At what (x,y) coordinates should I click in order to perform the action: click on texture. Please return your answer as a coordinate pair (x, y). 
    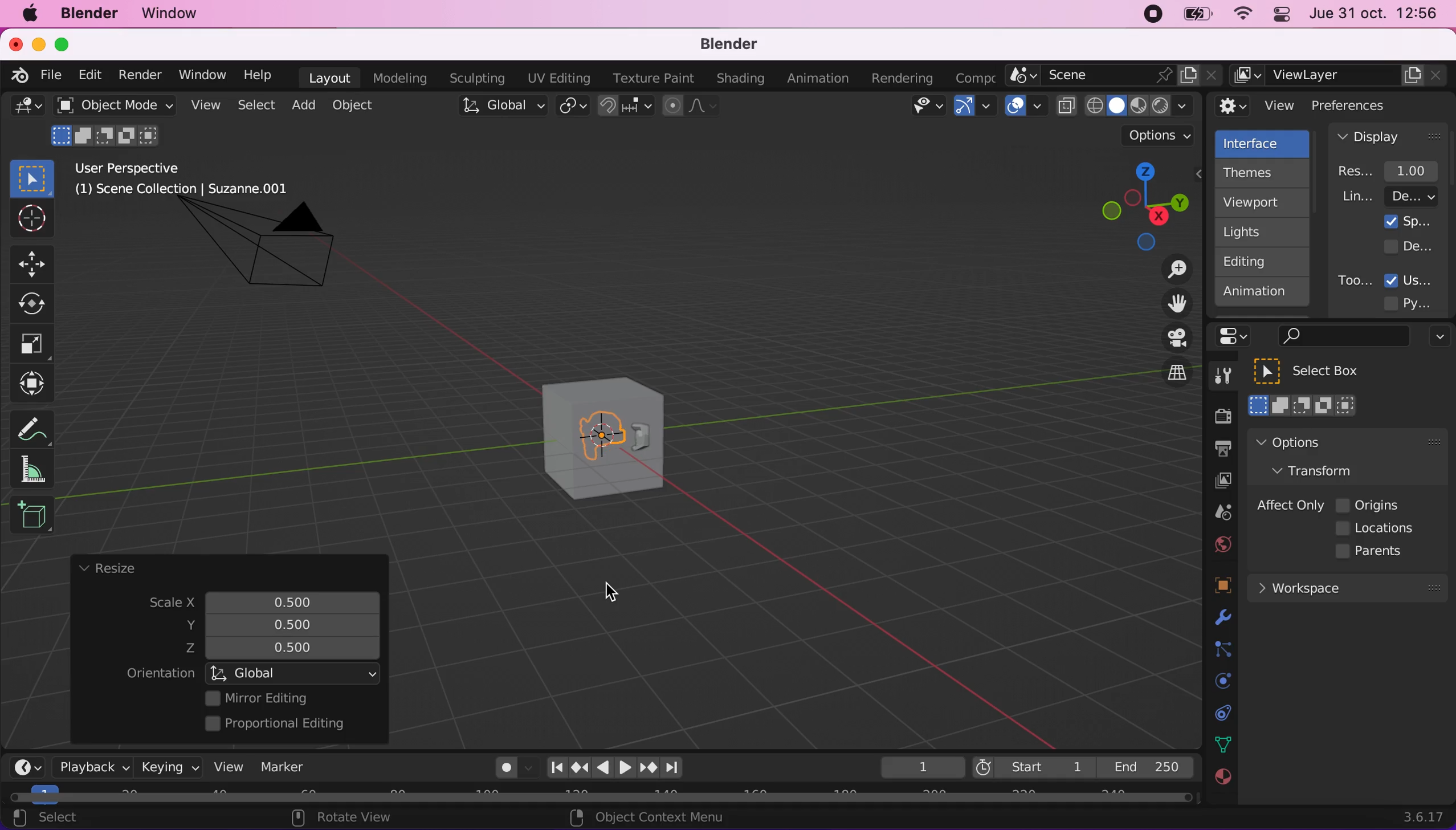
    Looking at the image, I should click on (1221, 783).